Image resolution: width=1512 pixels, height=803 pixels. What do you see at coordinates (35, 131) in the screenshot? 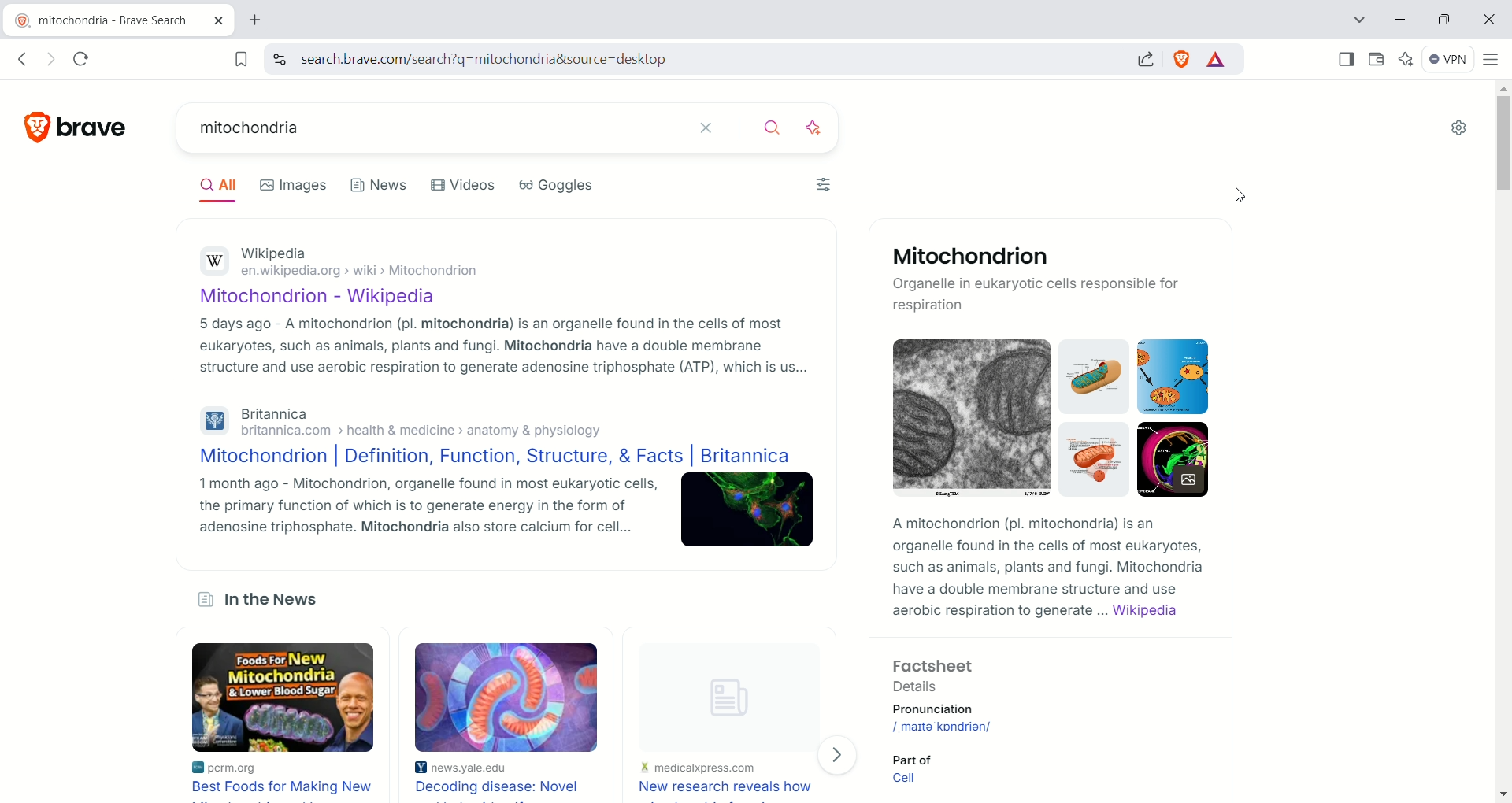
I see `brave logo` at bounding box center [35, 131].